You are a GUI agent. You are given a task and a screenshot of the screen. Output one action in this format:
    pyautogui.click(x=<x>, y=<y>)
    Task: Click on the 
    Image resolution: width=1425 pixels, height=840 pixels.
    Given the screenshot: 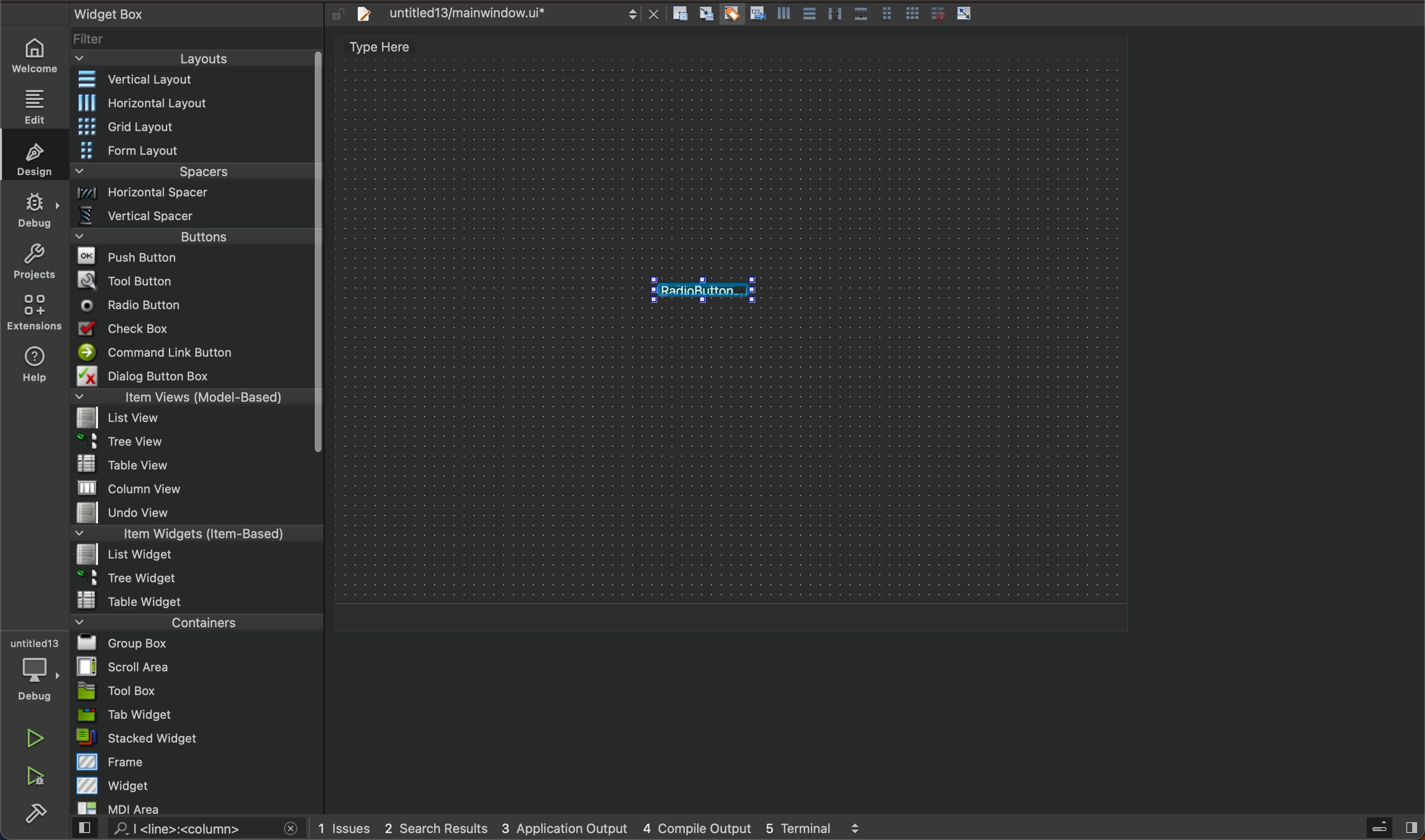 What is the action you would take?
    pyautogui.click(x=730, y=15)
    